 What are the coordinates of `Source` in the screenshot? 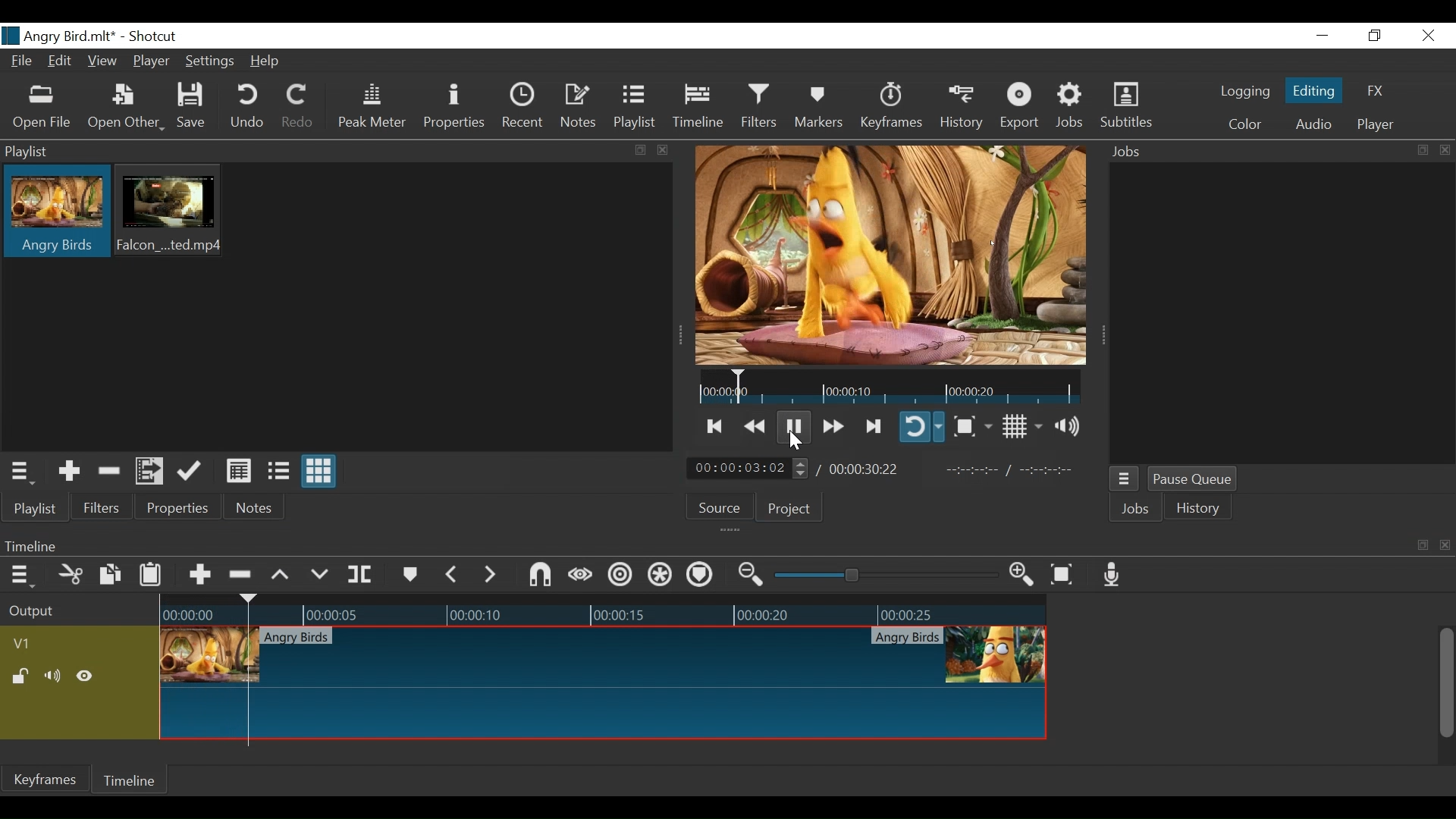 It's located at (722, 510).